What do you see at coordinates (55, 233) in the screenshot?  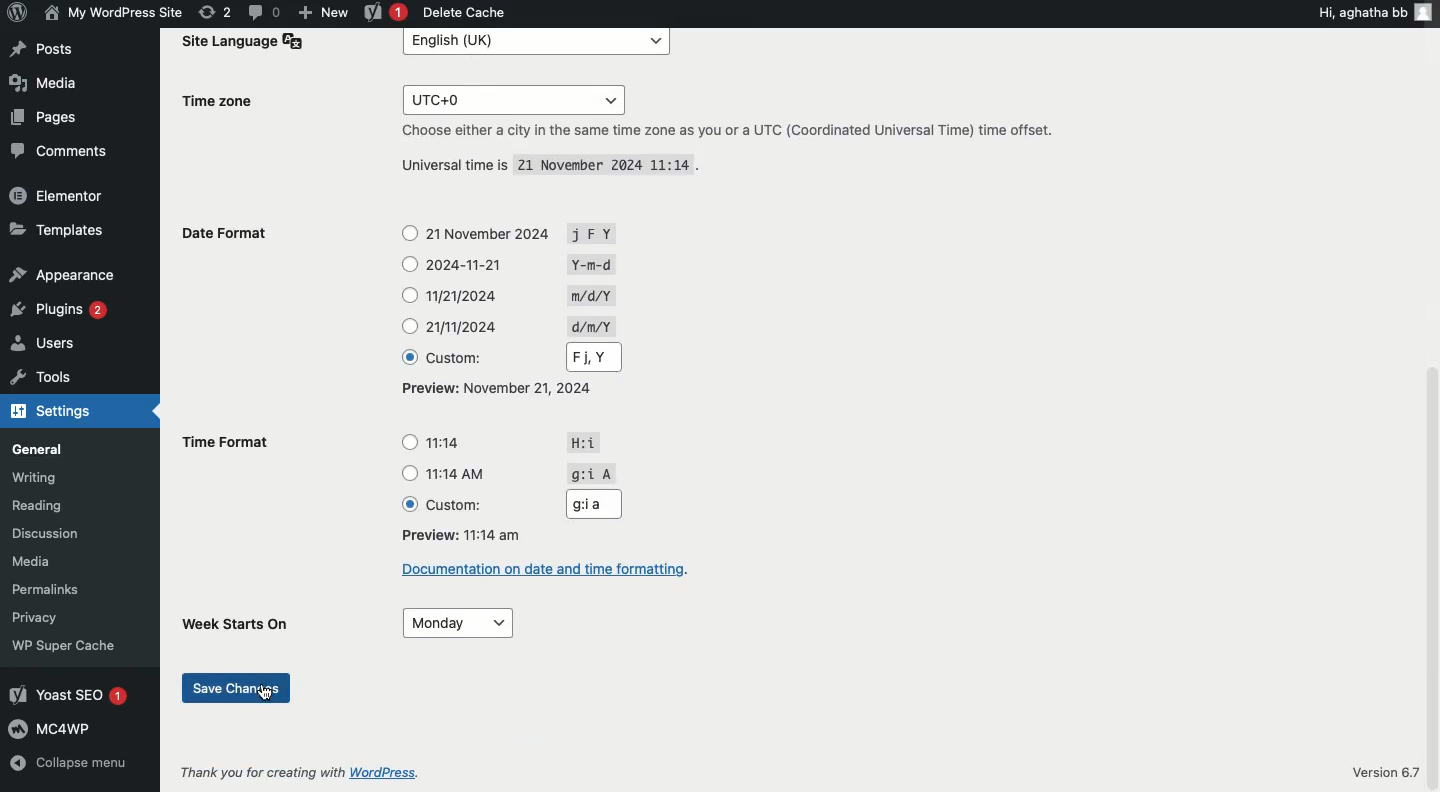 I see `Templates` at bounding box center [55, 233].